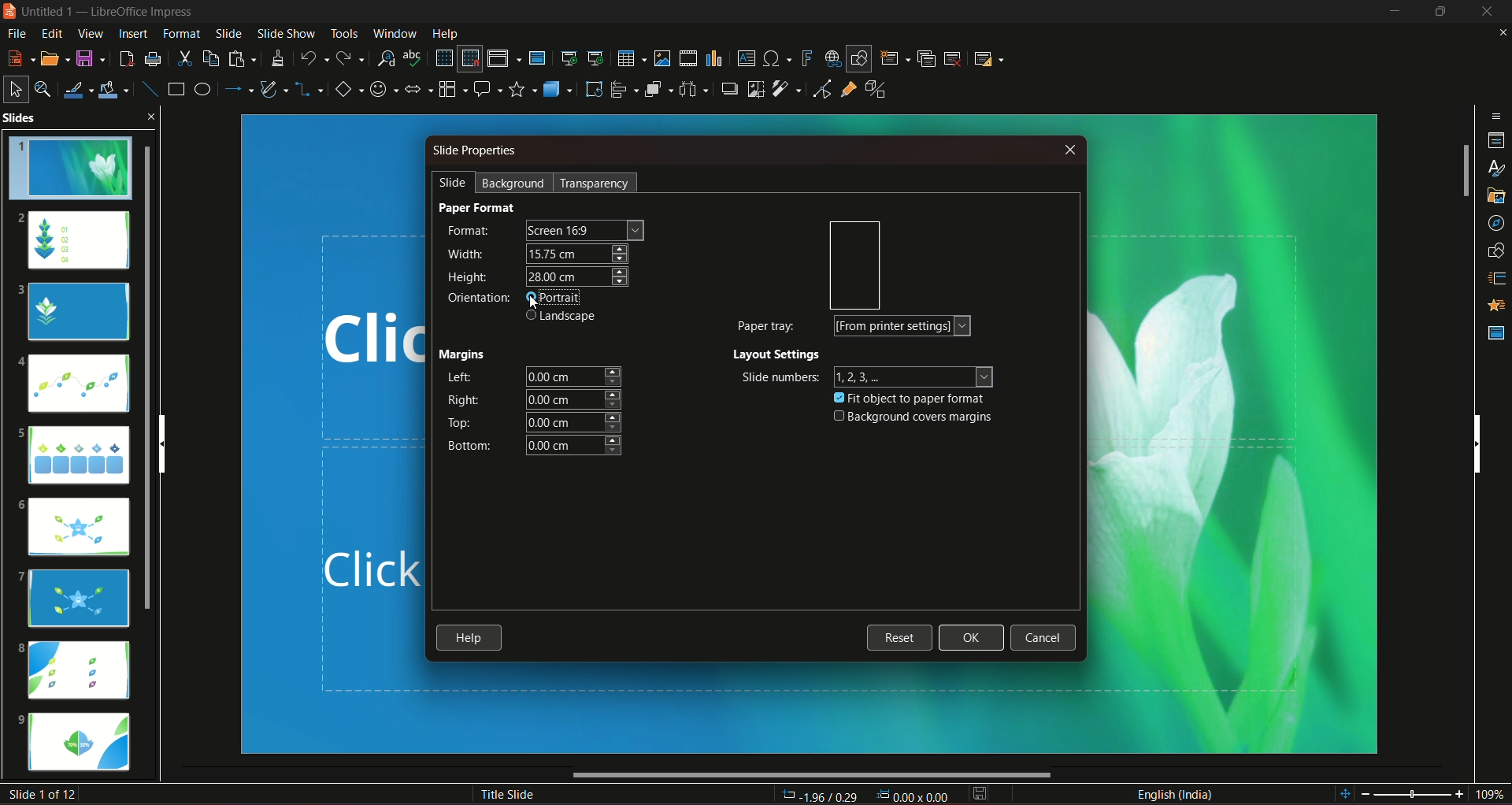 The width and height of the screenshot is (1512, 805). What do you see at coordinates (243, 58) in the screenshot?
I see `paste` at bounding box center [243, 58].